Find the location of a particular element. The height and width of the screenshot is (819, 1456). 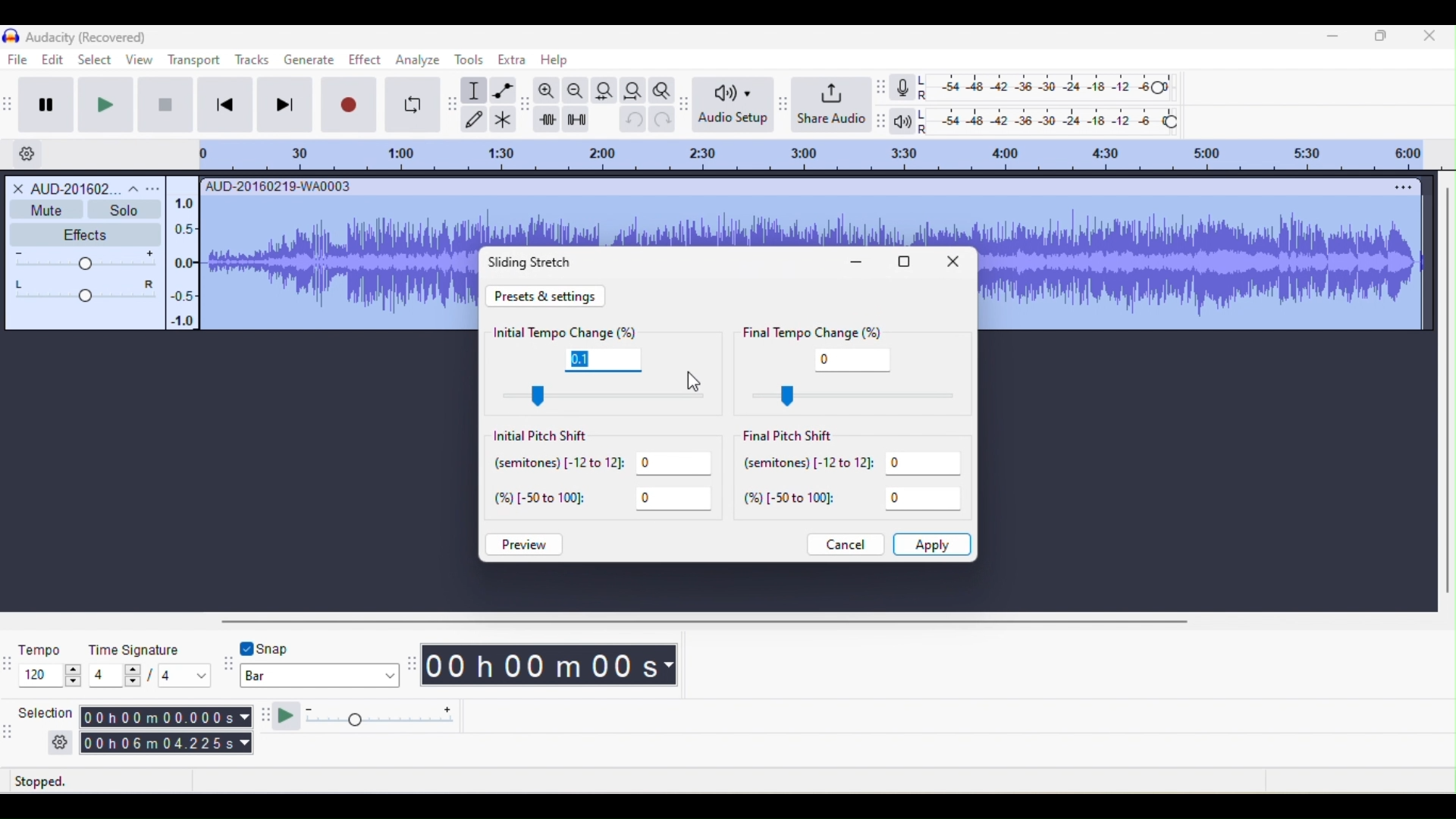

analyze is located at coordinates (417, 62).